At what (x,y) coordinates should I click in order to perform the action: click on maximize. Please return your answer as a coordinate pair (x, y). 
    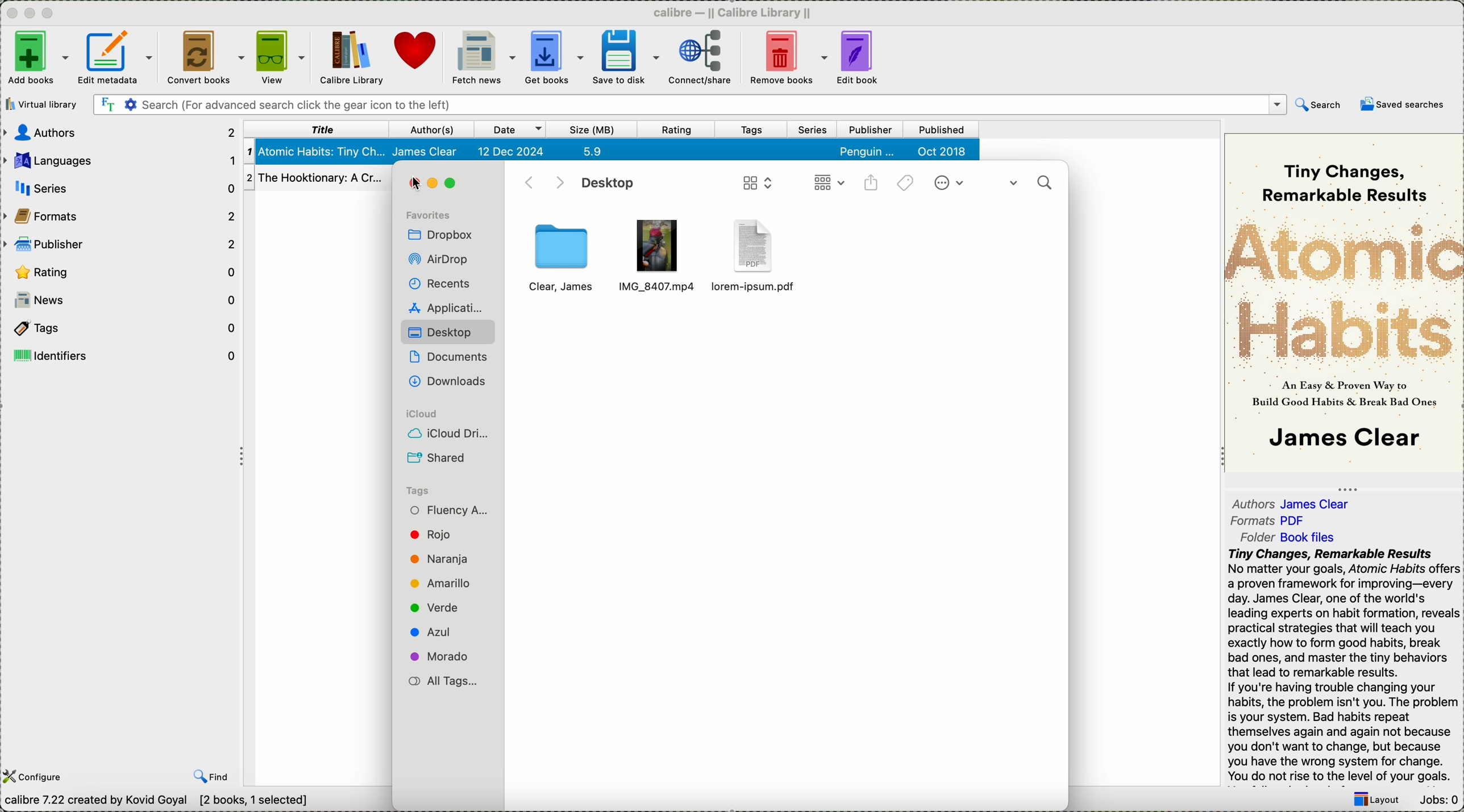
    Looking at the image, I should click on (50, 13).